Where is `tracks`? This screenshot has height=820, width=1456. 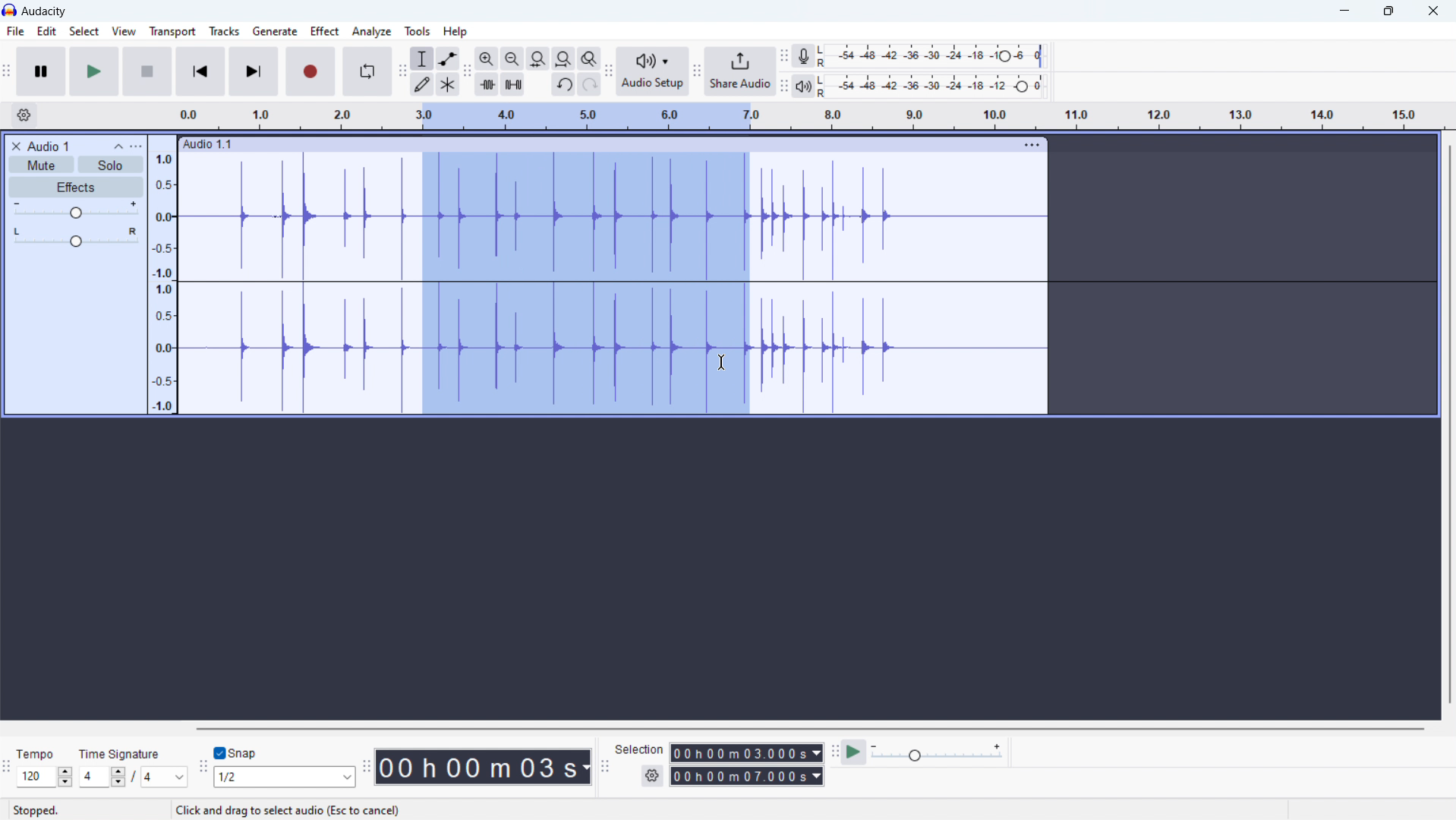
tracks is located at coordinates (224, 31).